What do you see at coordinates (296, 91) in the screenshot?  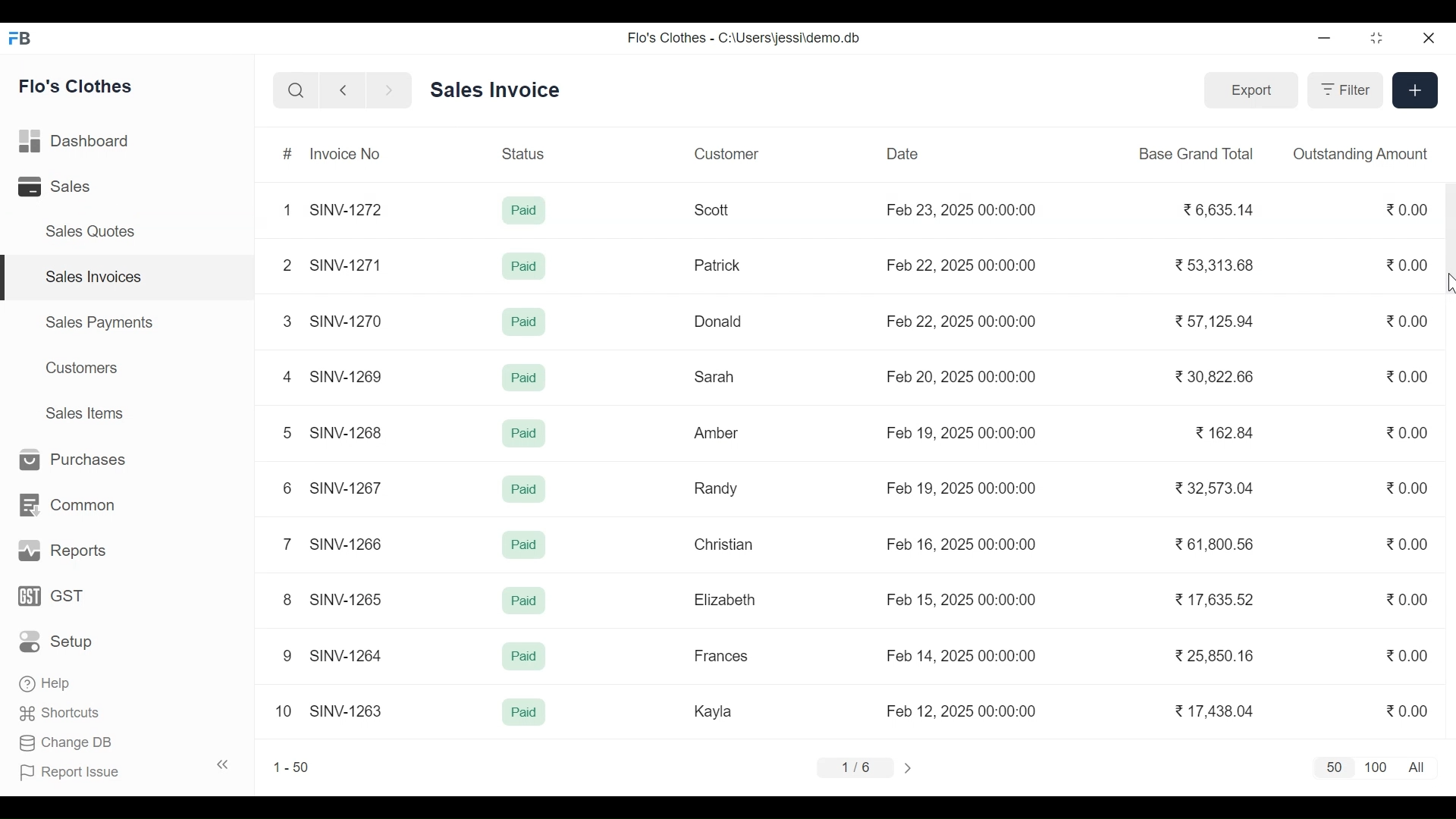 I see `Search` at bounding box center [296, 91].